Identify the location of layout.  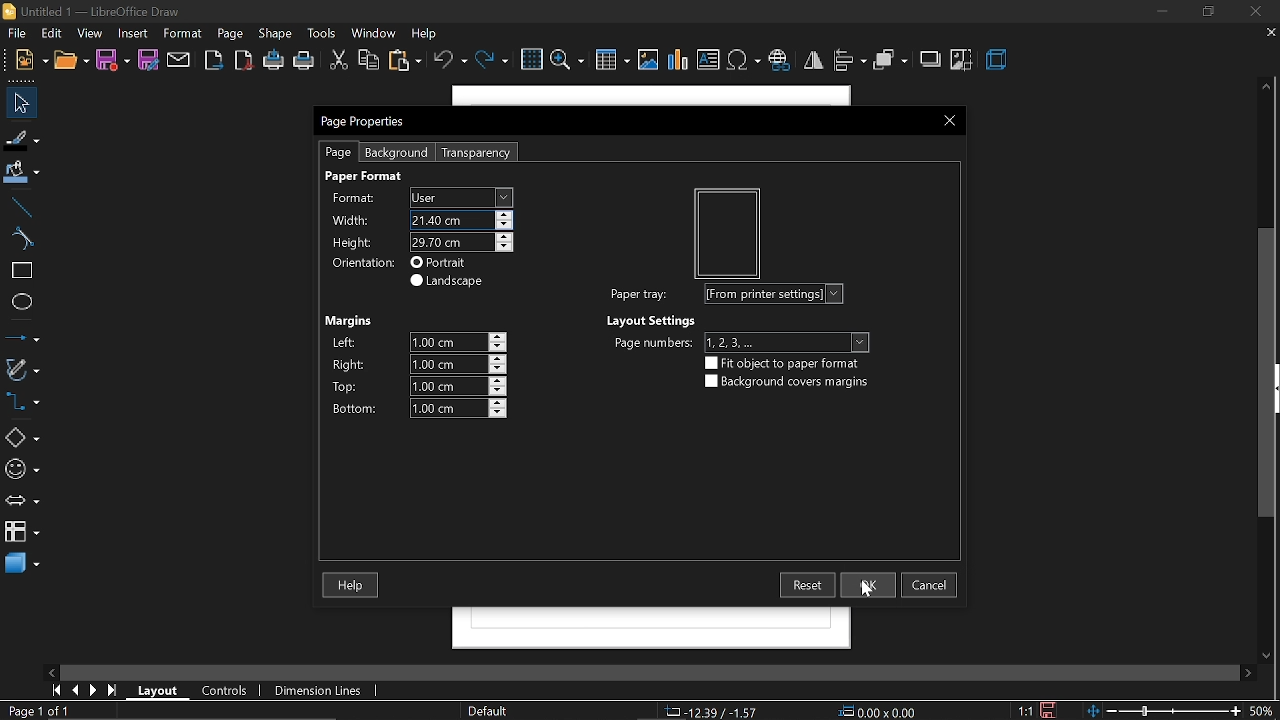
(160, 690).